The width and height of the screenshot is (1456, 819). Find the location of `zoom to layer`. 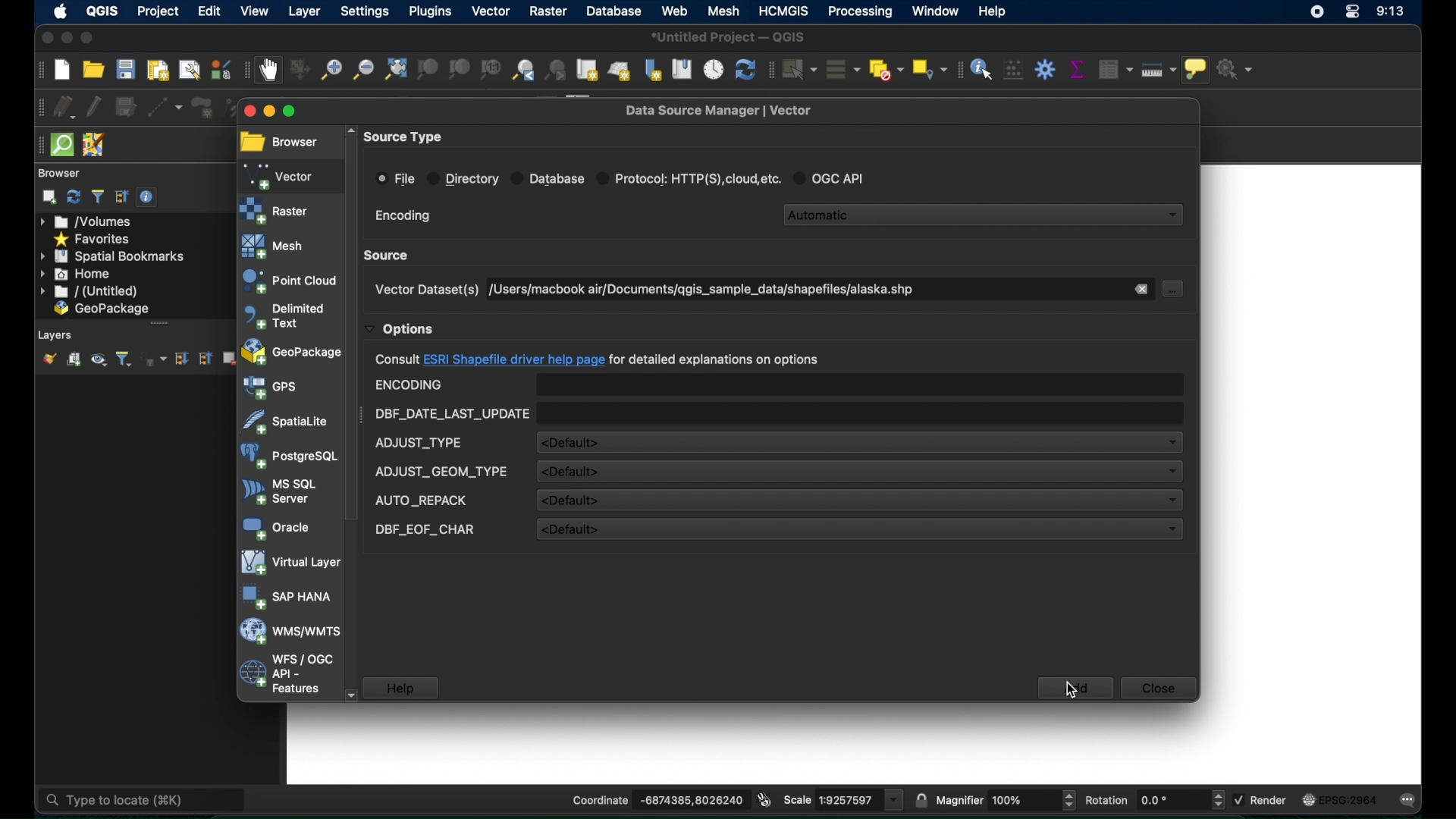

zoom to layer is located at coordinates (460, 70).